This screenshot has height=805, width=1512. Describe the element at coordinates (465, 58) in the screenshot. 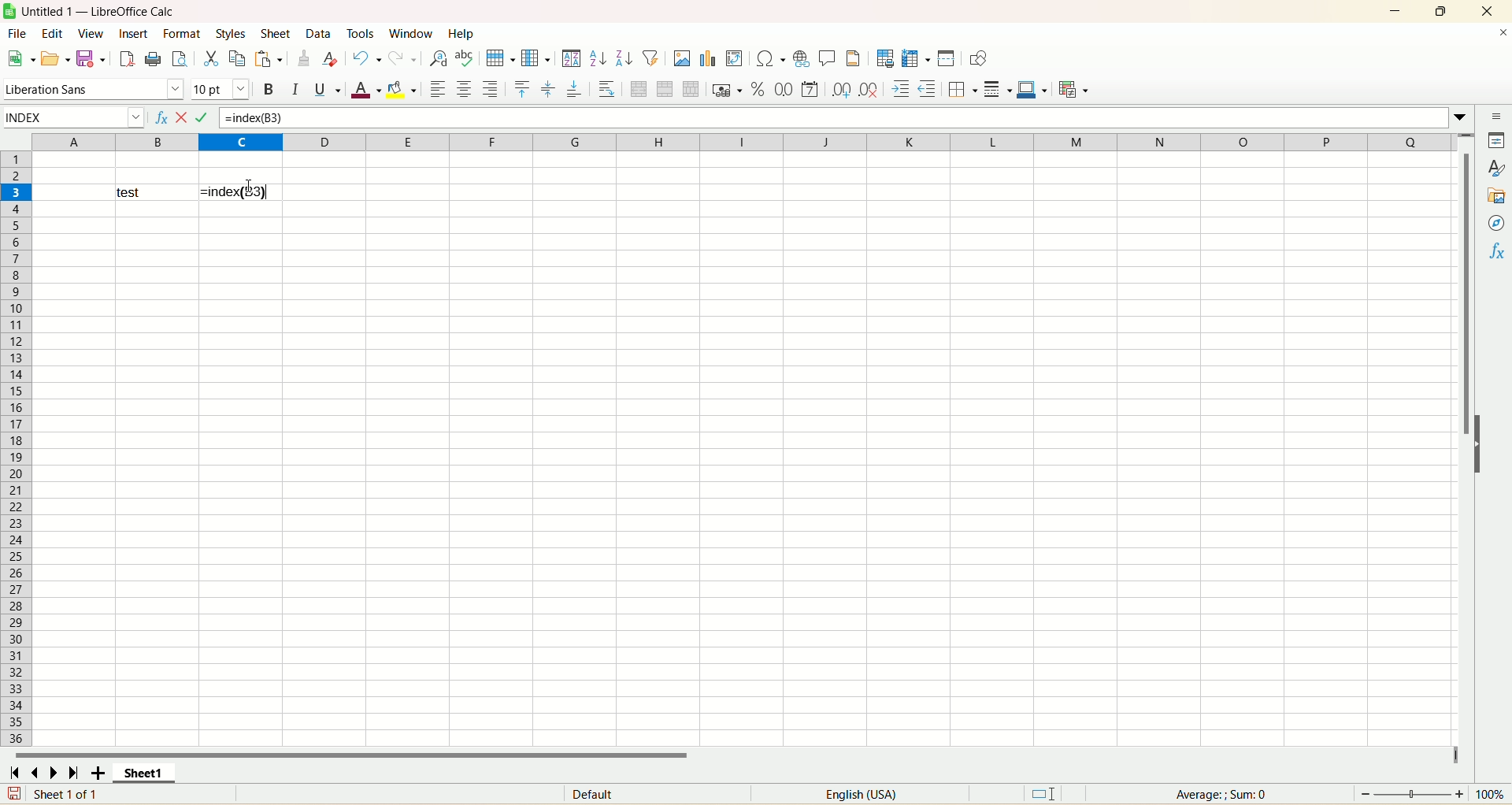

I see `spell check` at that location.